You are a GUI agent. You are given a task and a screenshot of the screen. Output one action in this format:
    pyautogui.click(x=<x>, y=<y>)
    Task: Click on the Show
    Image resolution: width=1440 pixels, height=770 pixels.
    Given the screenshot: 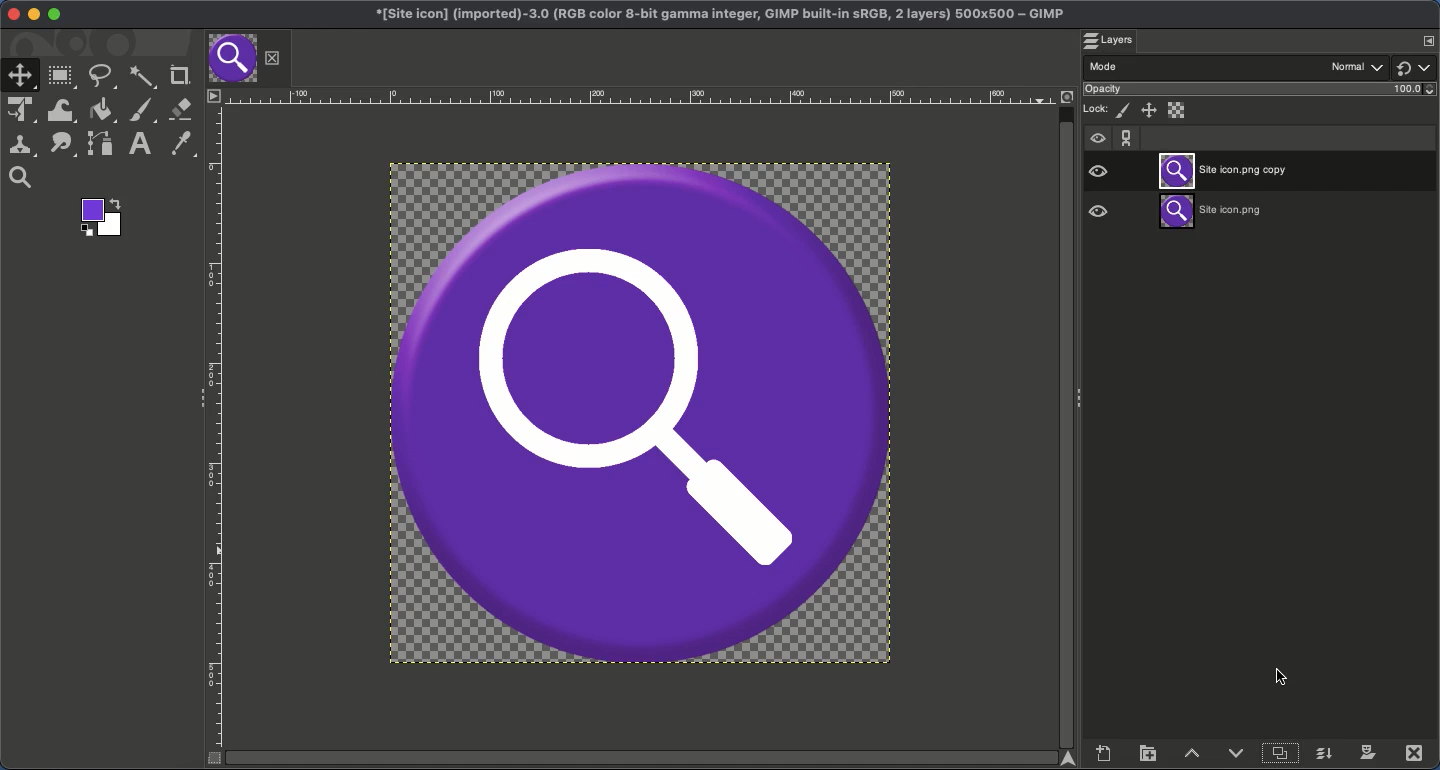 What is the action you would take?
    pyautogui.click(x=1429, y=67)
    